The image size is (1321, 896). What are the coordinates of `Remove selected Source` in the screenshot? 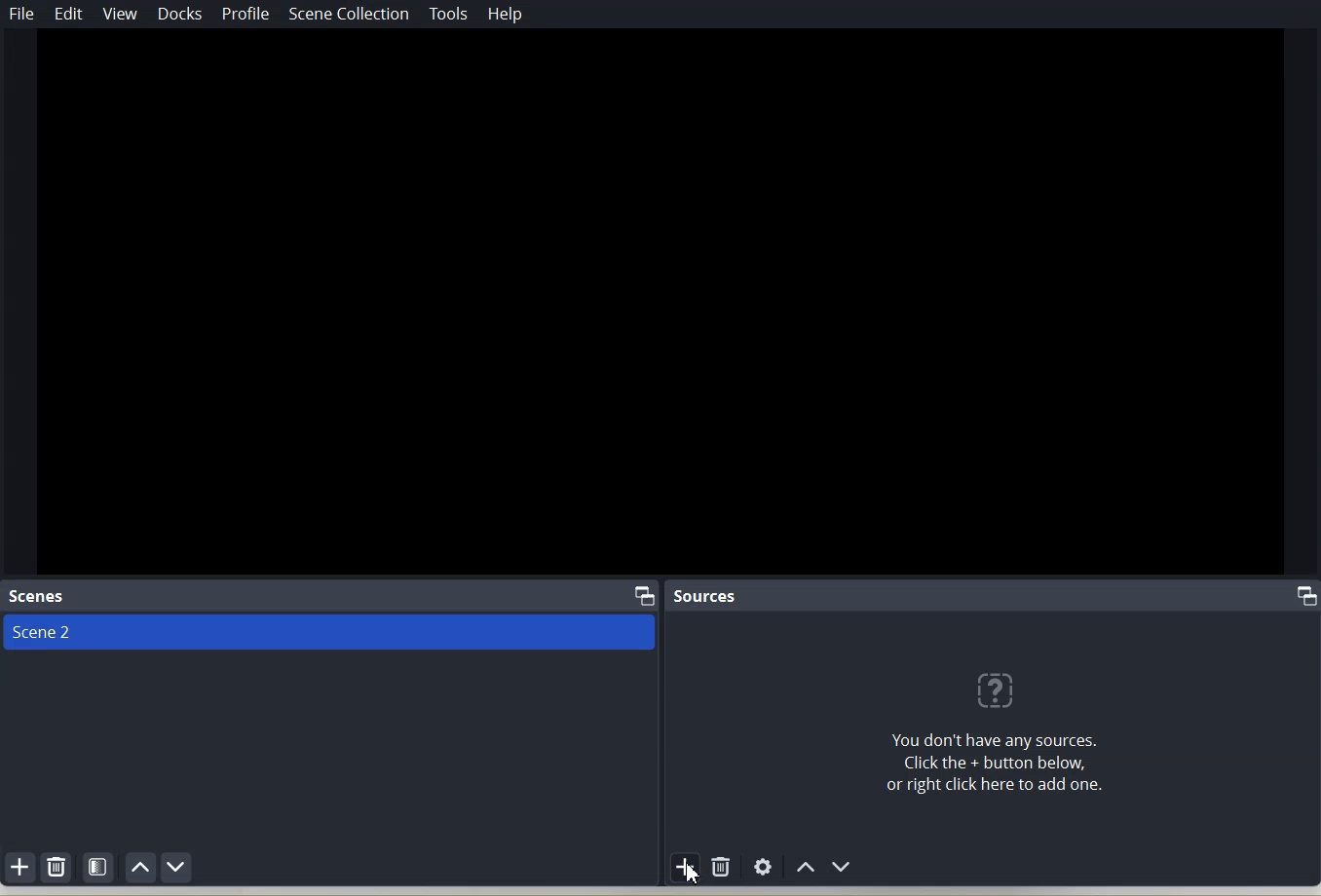 It's located at (722, 866).